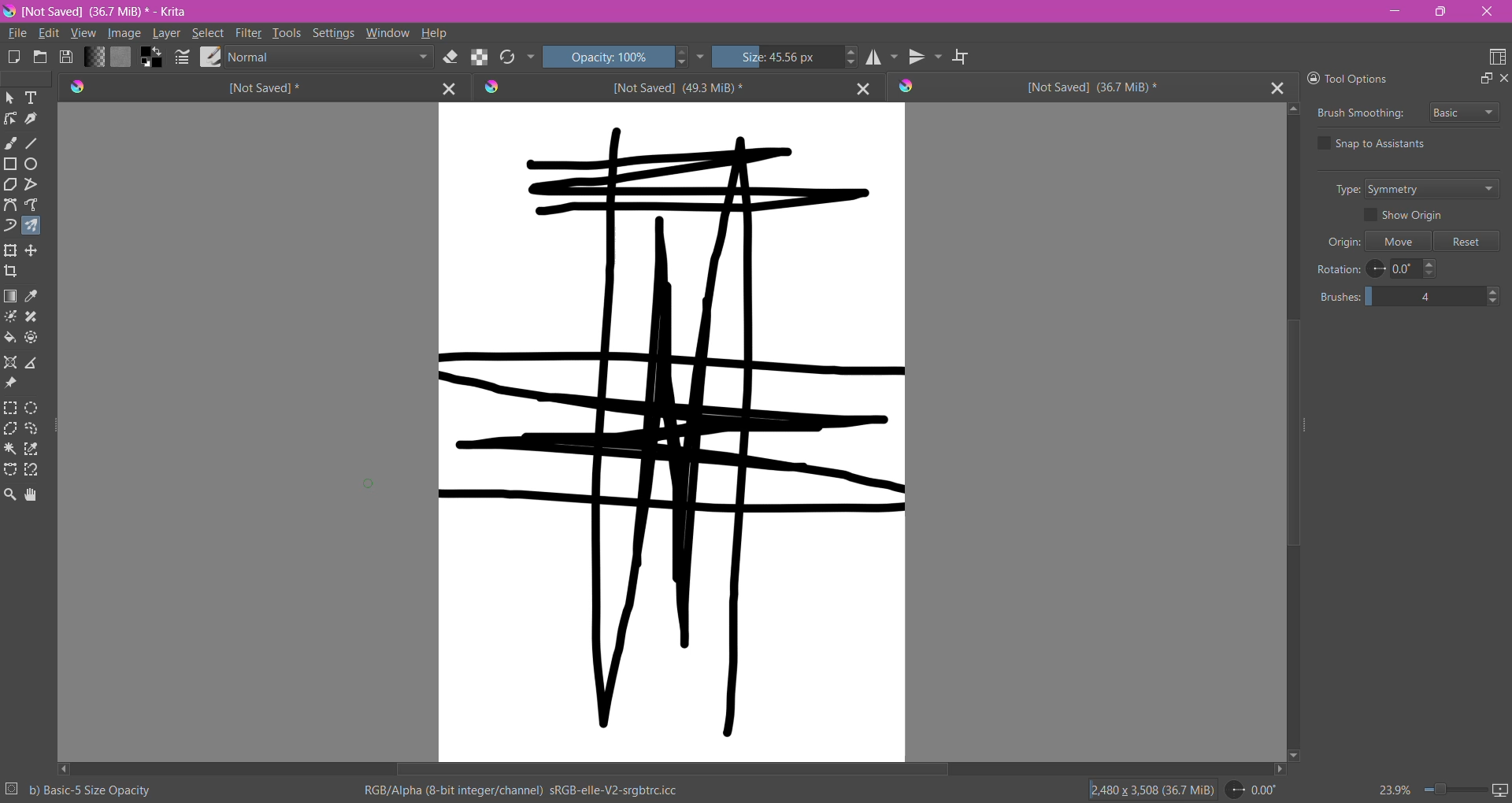  I want to click on Enclose and Fill Tool, so click(33, 338).